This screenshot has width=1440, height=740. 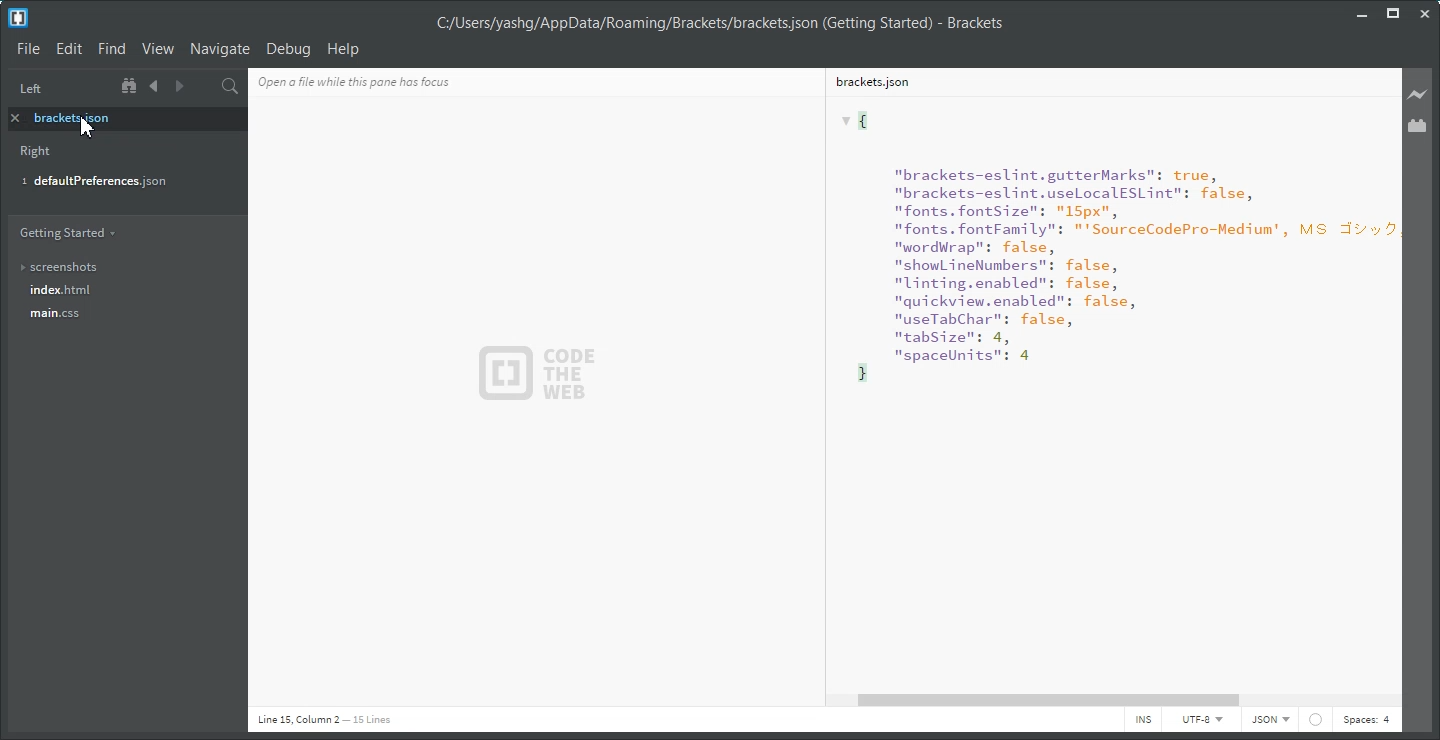 I want to click on View, so click(x=157, y=49).